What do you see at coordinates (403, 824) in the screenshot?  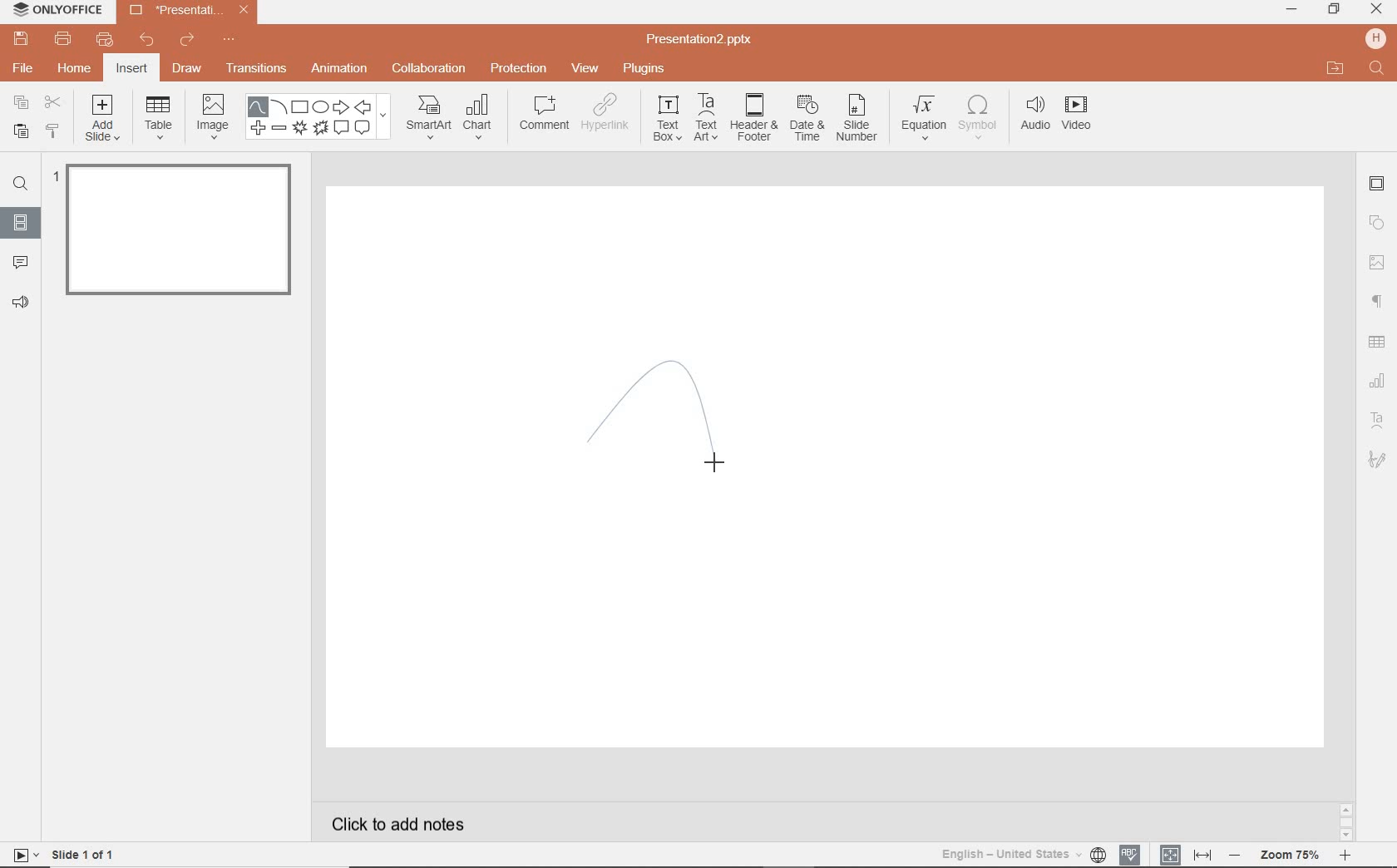 I see `CLICK TO ADD NOTES` at bounding box center [403, 824].